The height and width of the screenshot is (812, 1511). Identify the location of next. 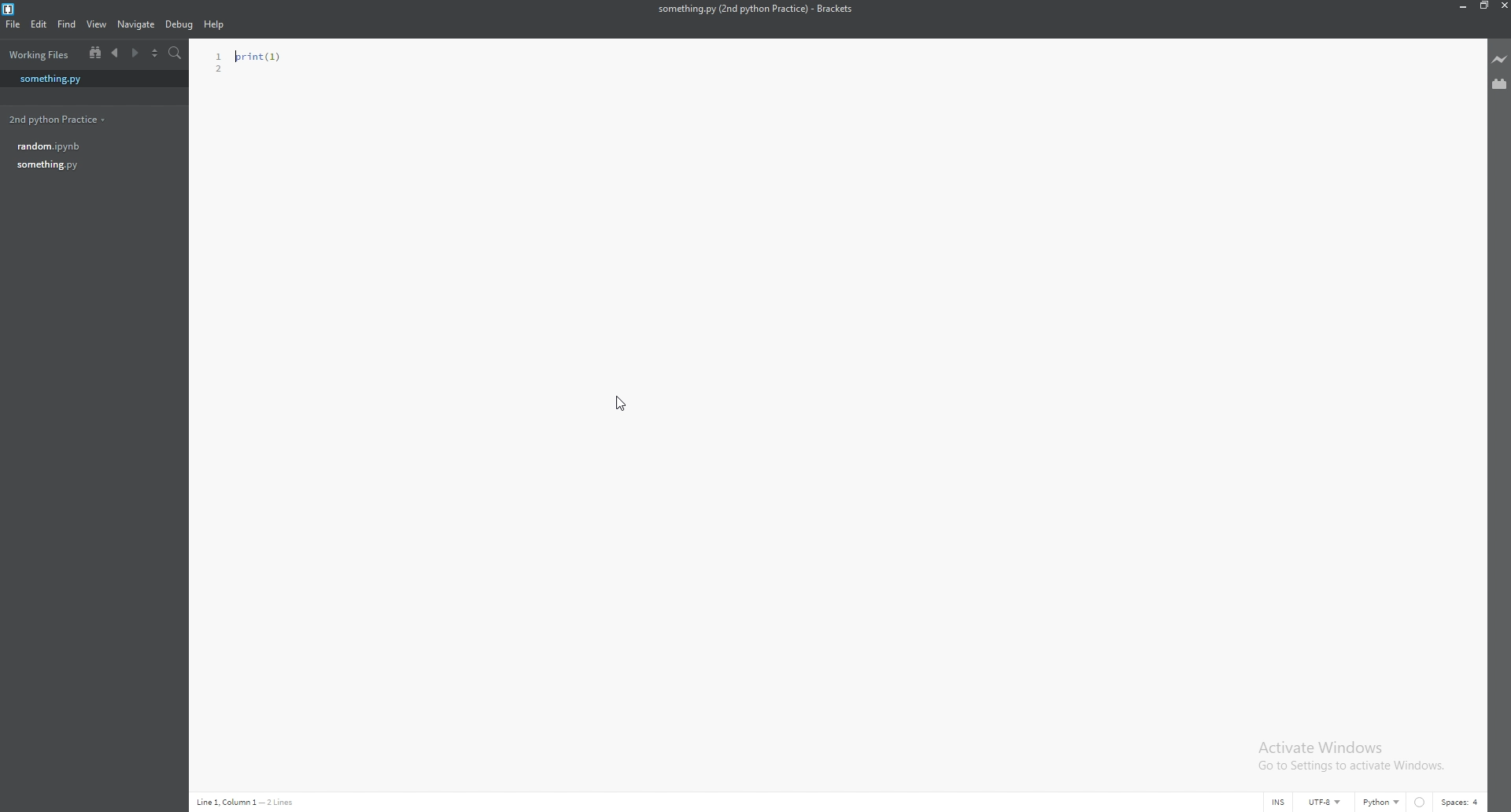
(137, 53).